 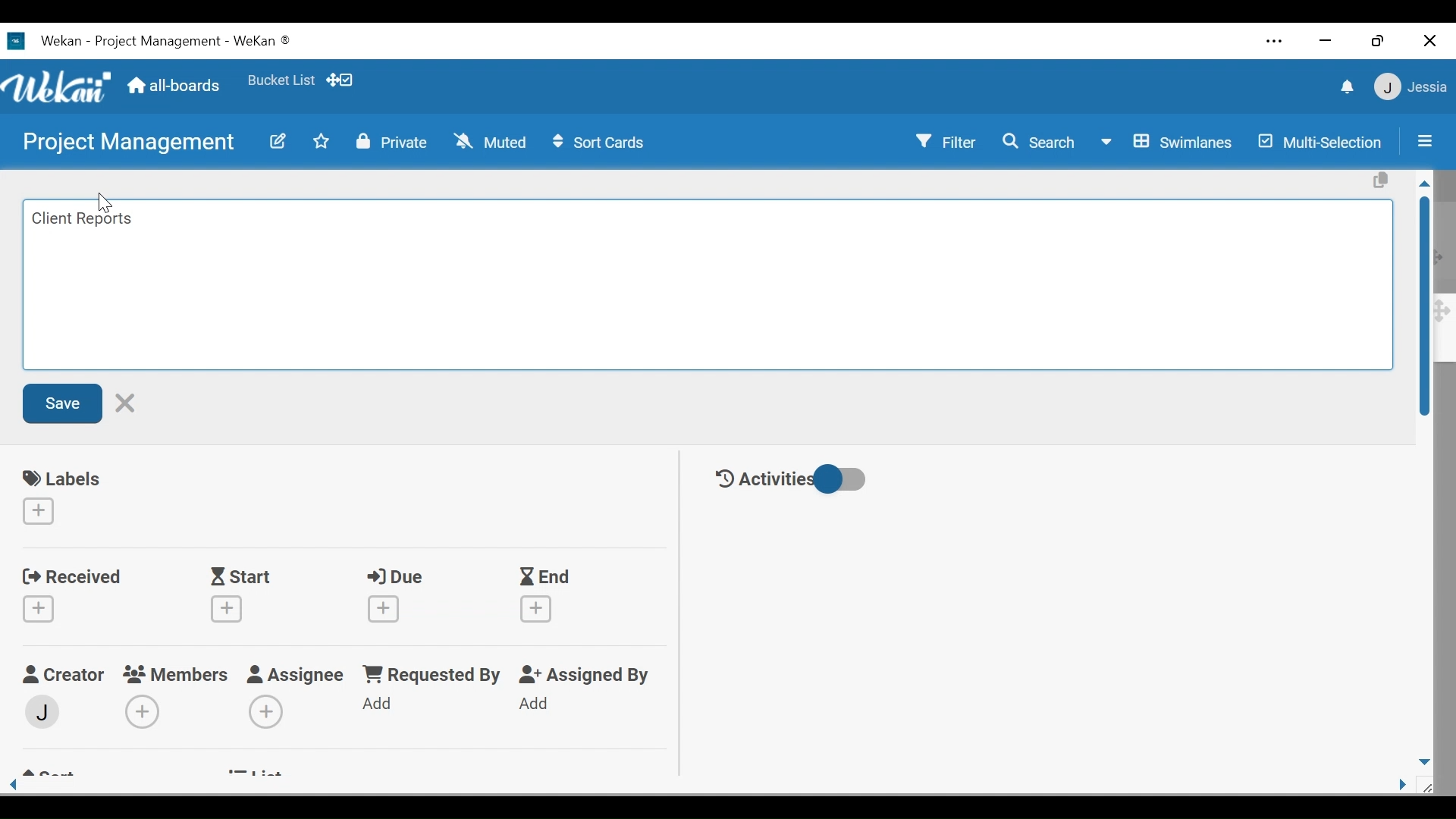 What do you see at coordinates (1427, 39) in the screenshot?
I see `Close` at bounding box center [1427, 39].